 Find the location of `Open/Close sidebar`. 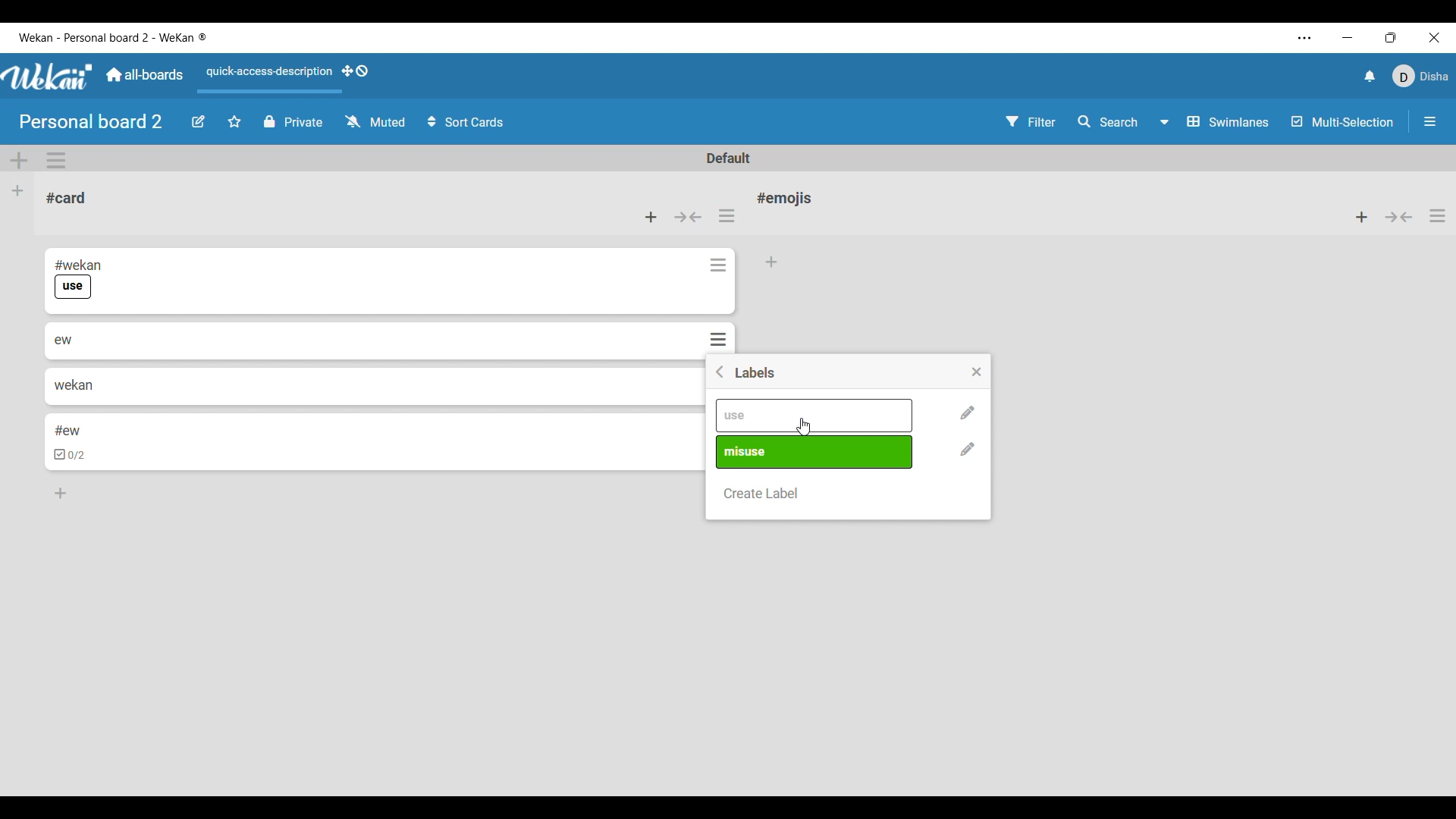

Open/Close sidebar is located at coordinates (1430, 121).